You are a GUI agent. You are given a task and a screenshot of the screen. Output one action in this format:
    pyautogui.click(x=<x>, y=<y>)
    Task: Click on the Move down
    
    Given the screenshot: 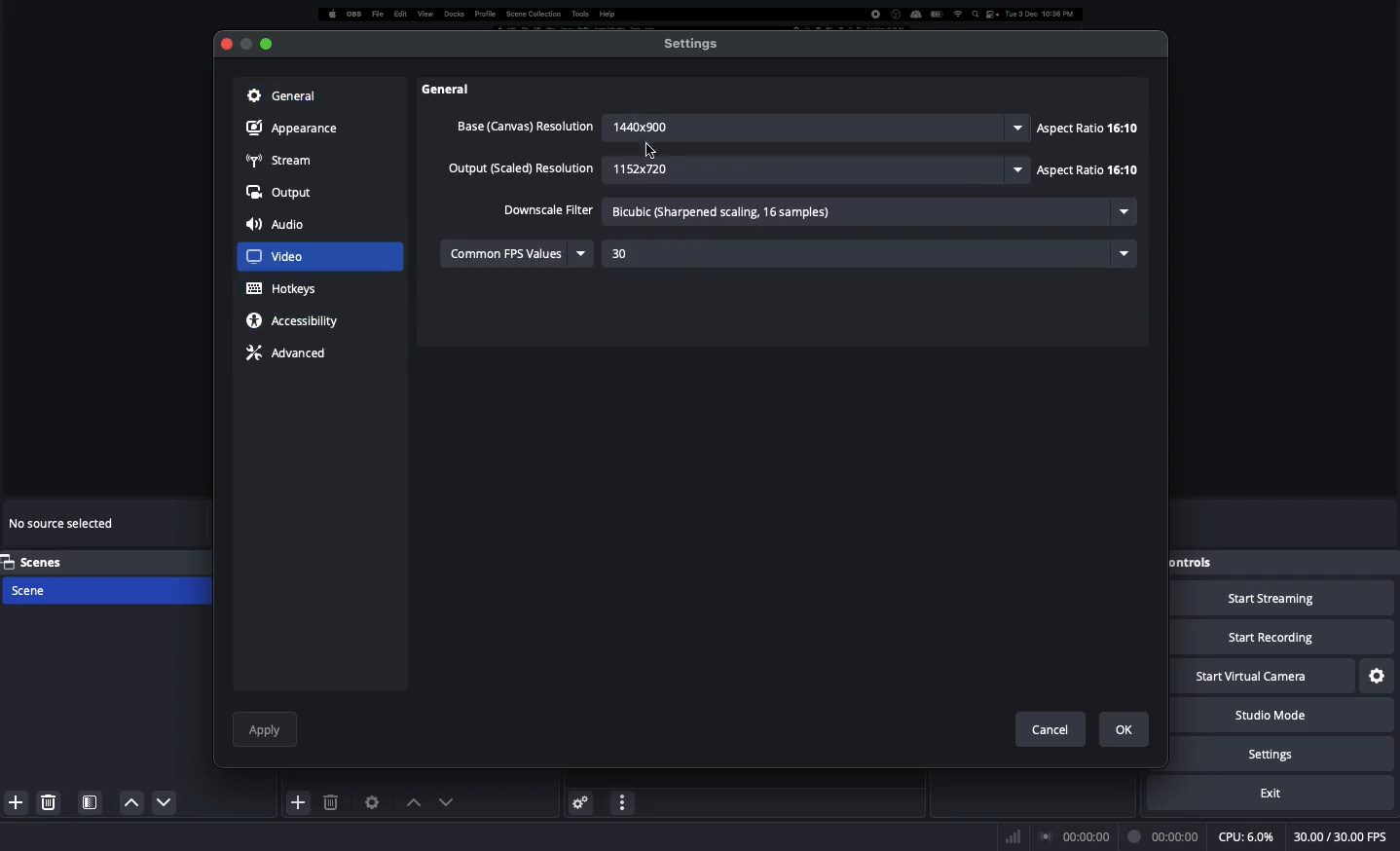 What is the action you would take?
    pyautogui.click(x=444, y=801)
    